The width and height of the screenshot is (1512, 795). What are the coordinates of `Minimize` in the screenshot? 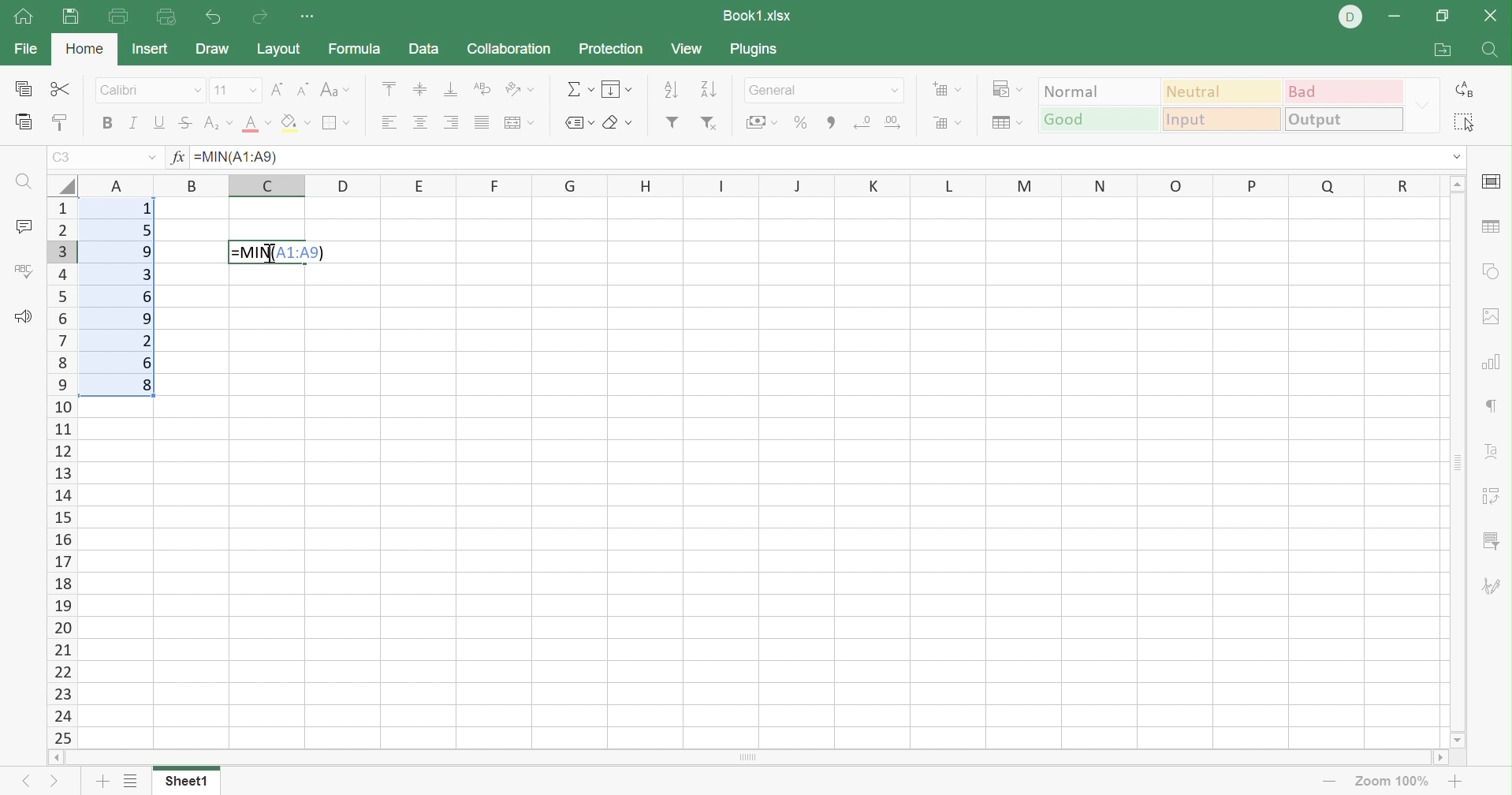 It's located at (1397, 17).